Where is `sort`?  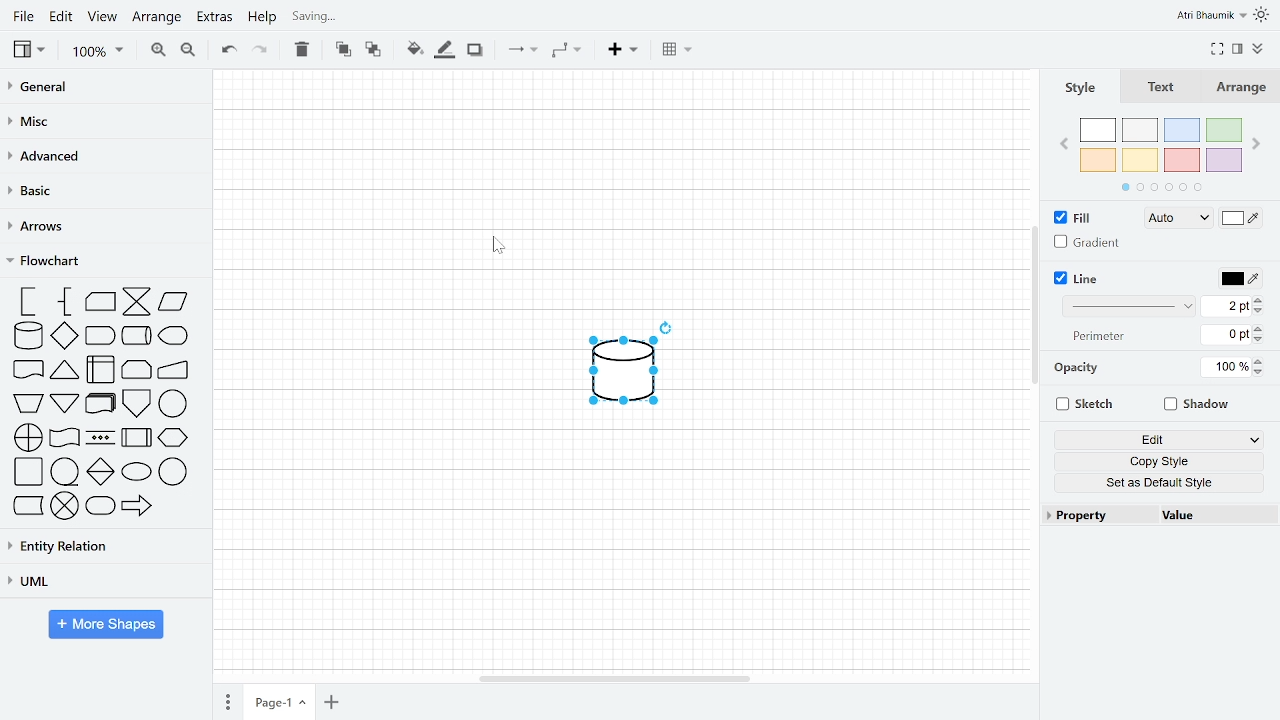
sort is located at coordinates (99, 472).